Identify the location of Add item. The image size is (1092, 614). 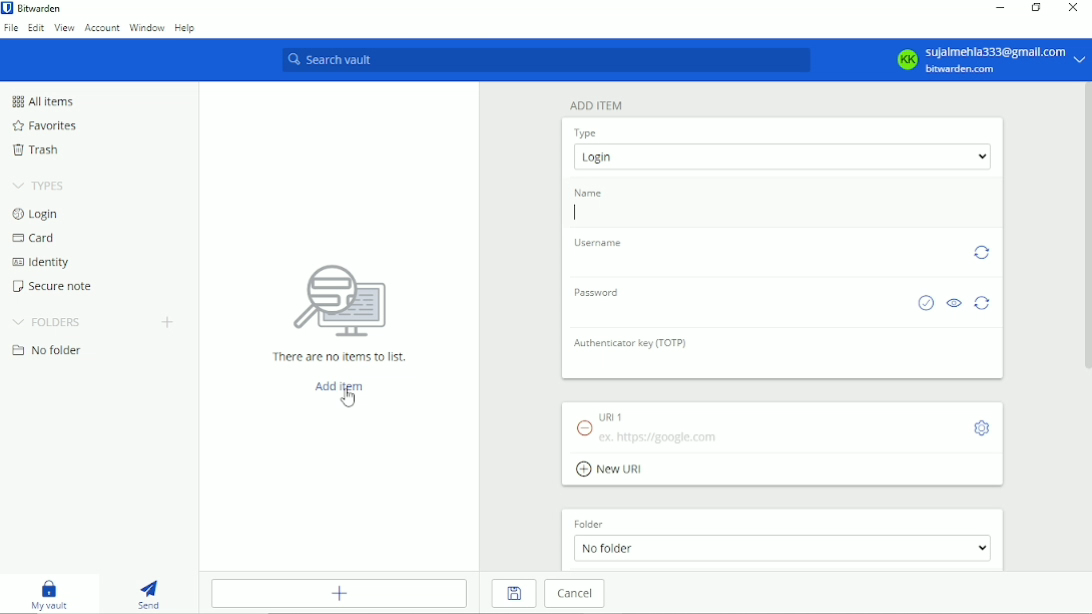
(596, 105).